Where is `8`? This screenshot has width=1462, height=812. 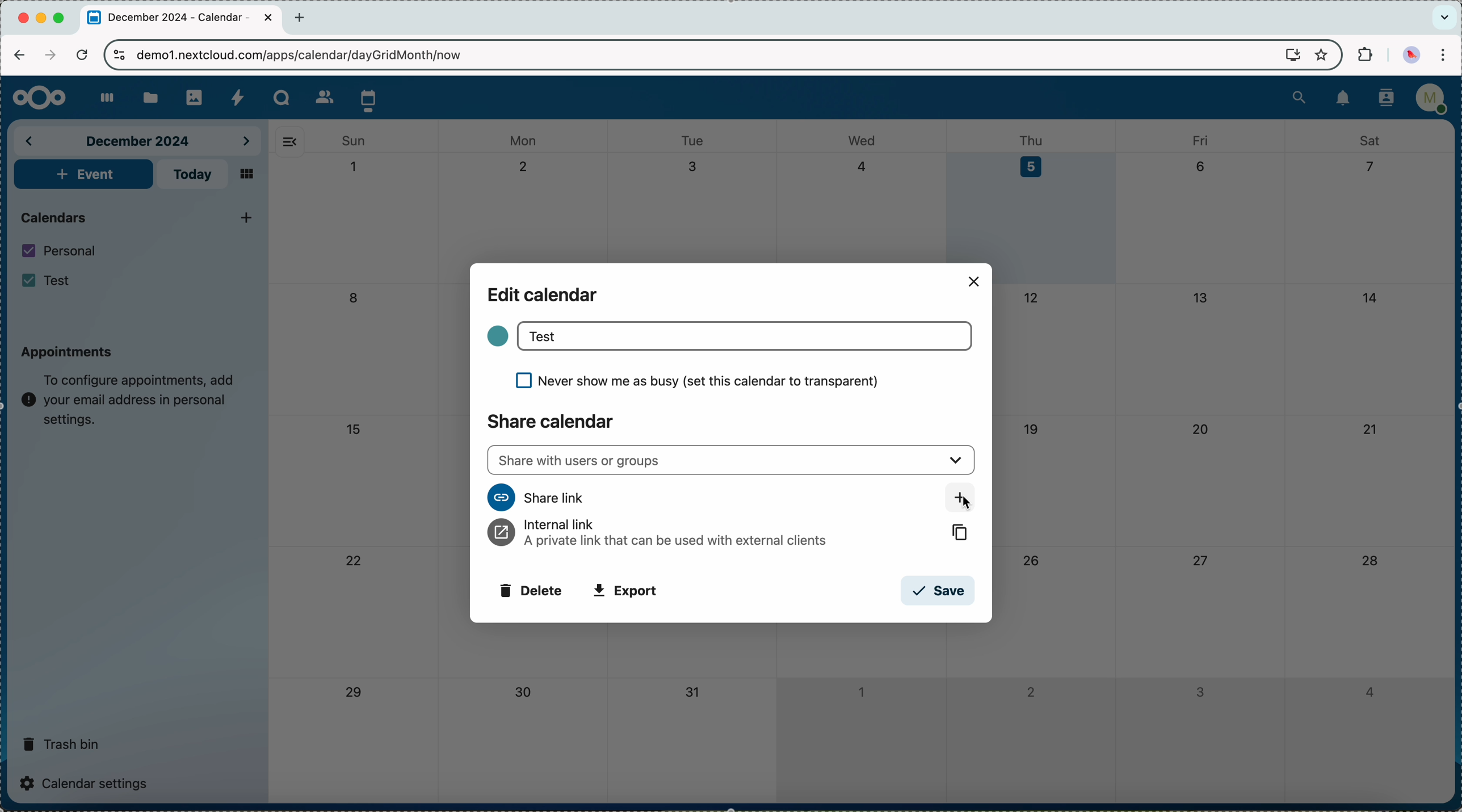
8 is located at coordinates (354, 299).